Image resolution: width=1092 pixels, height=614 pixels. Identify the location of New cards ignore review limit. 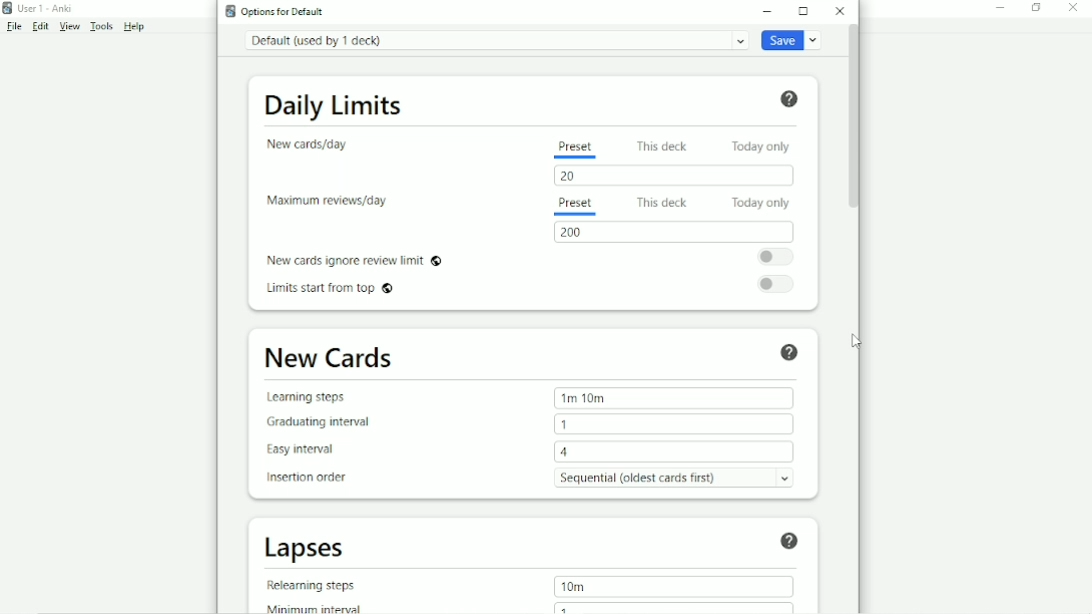
(356, 261).